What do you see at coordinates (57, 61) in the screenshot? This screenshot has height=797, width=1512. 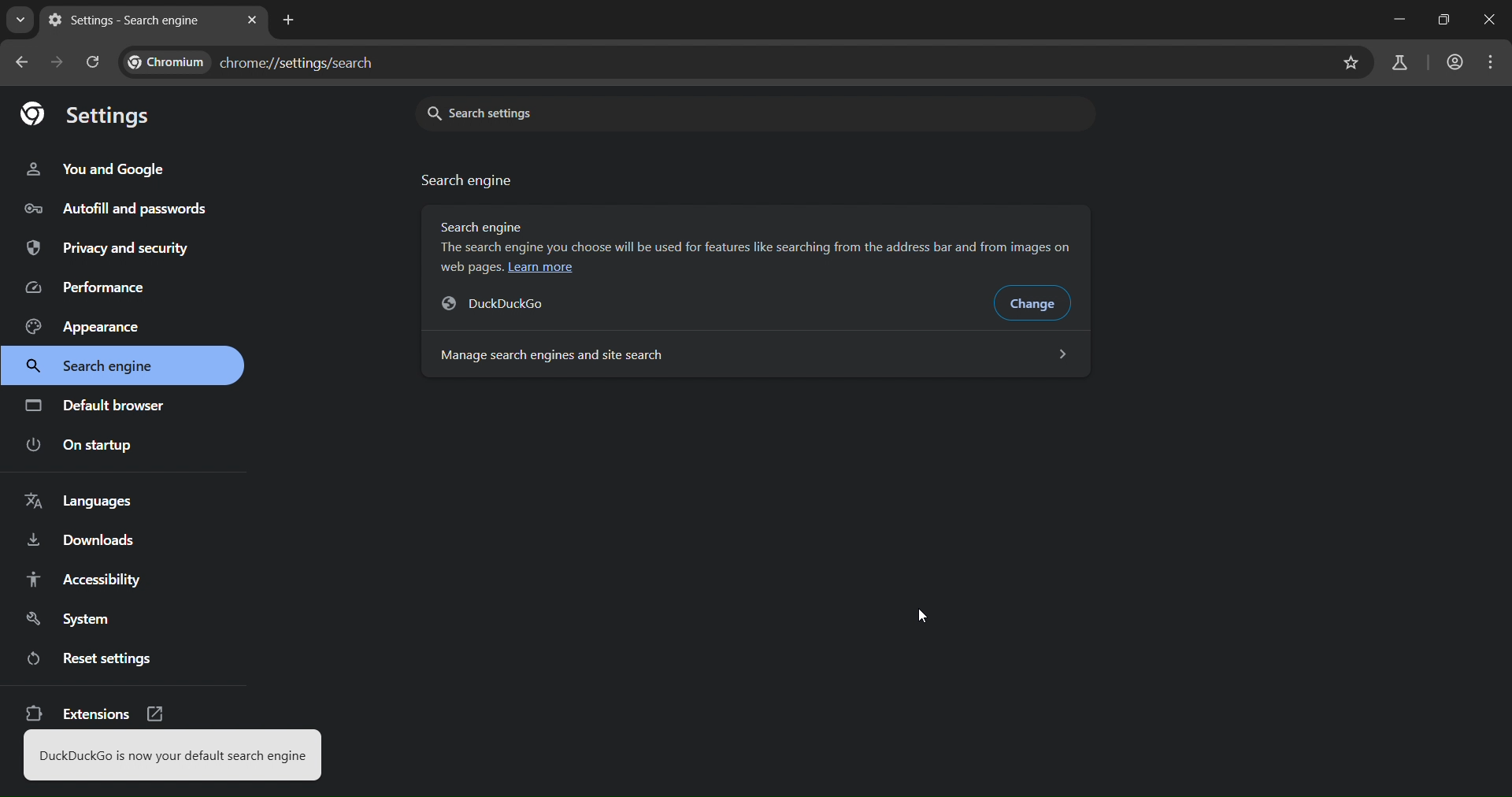 I see `go forward 1 page` at bounding box center [57, 61].